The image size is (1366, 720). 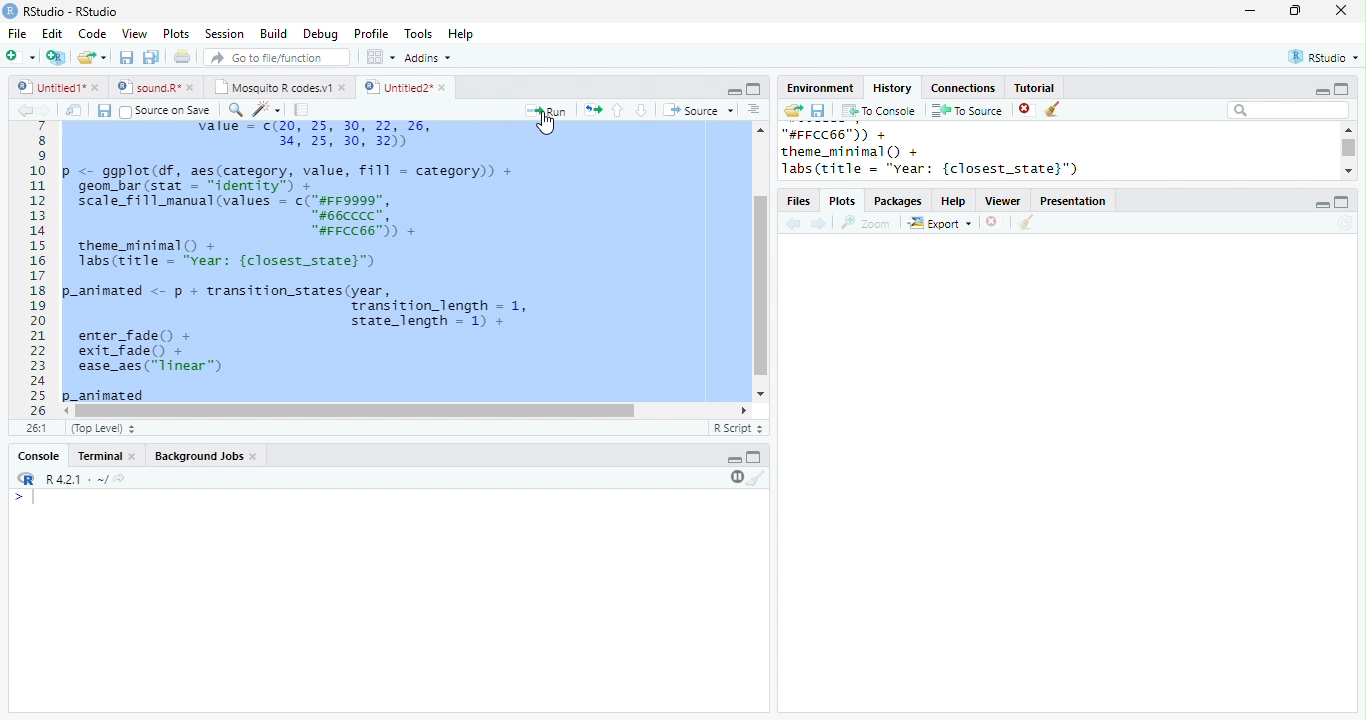 What do you see at coordinates (42, 110) in the screenshot?
I see `forward` at bounding box center [42, 110].